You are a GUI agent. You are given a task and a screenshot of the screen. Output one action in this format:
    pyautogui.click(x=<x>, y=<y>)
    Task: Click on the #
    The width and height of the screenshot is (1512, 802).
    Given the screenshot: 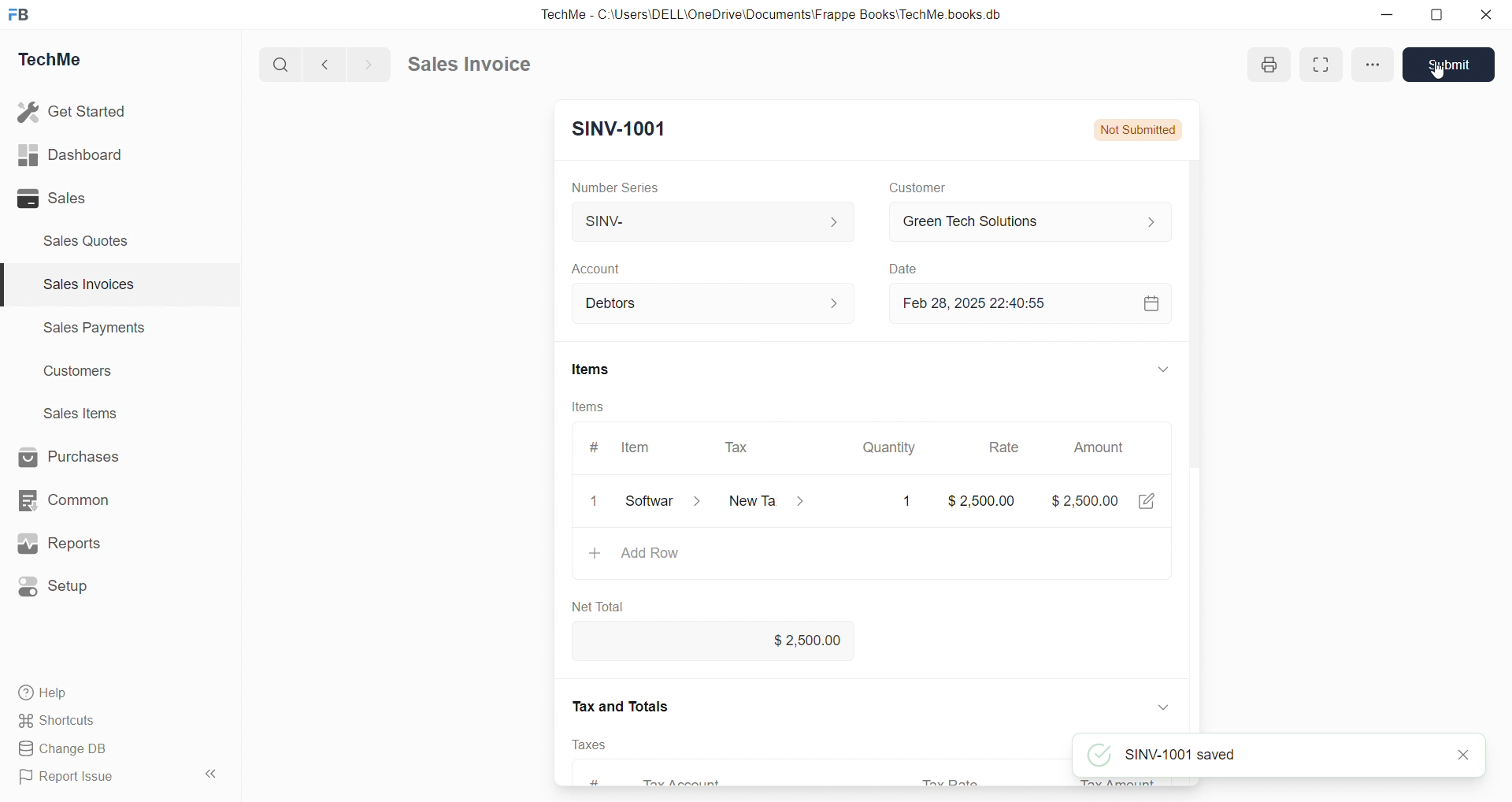 What is the action you would take?
    pyautogui.click(x=595, y=447)
    